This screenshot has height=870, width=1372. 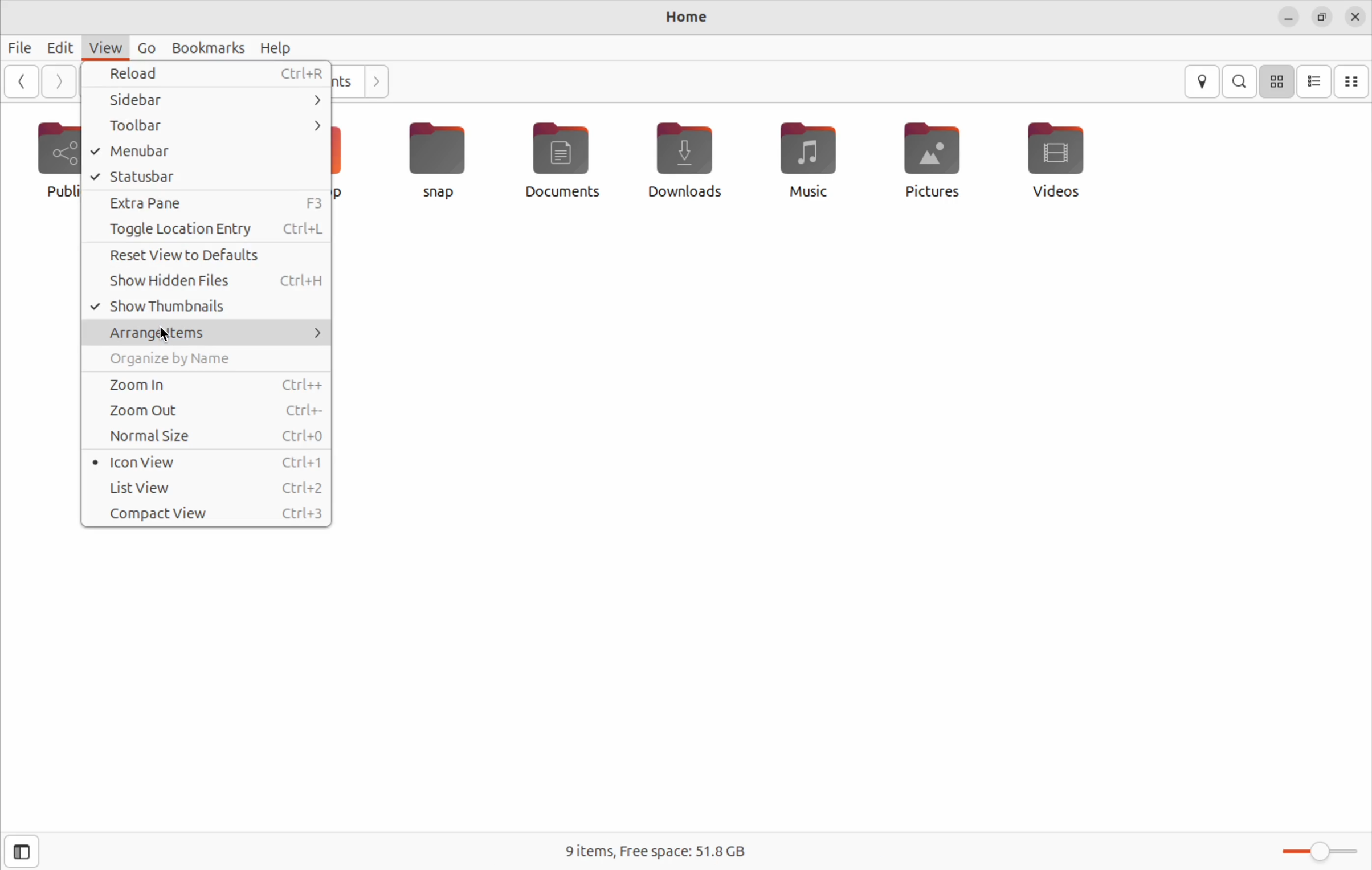 I want to click on file, so click(x=21, y=48).